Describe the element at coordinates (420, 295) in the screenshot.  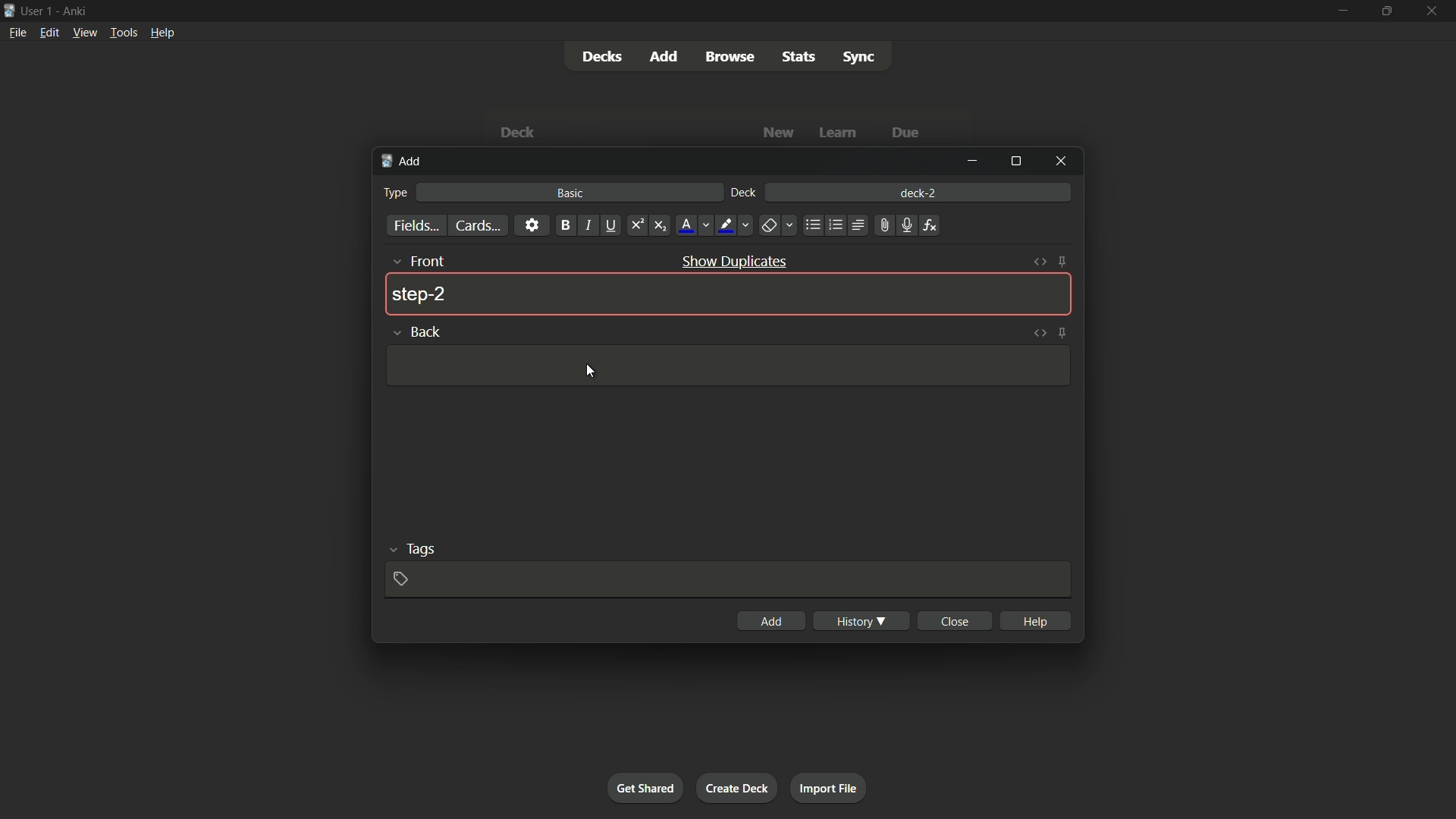
I see `step-2` at that location.